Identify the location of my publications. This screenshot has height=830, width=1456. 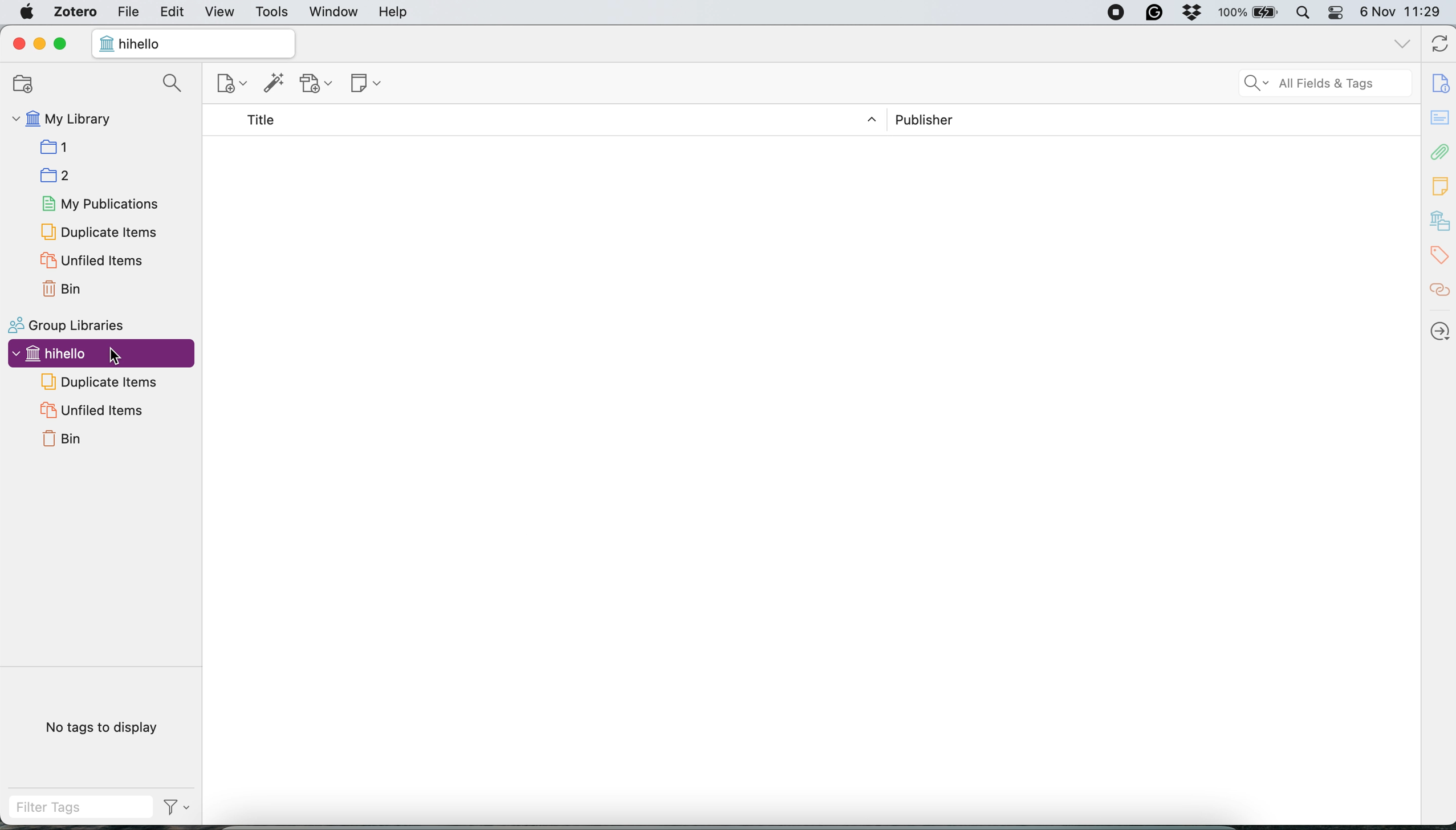
(100, 205).